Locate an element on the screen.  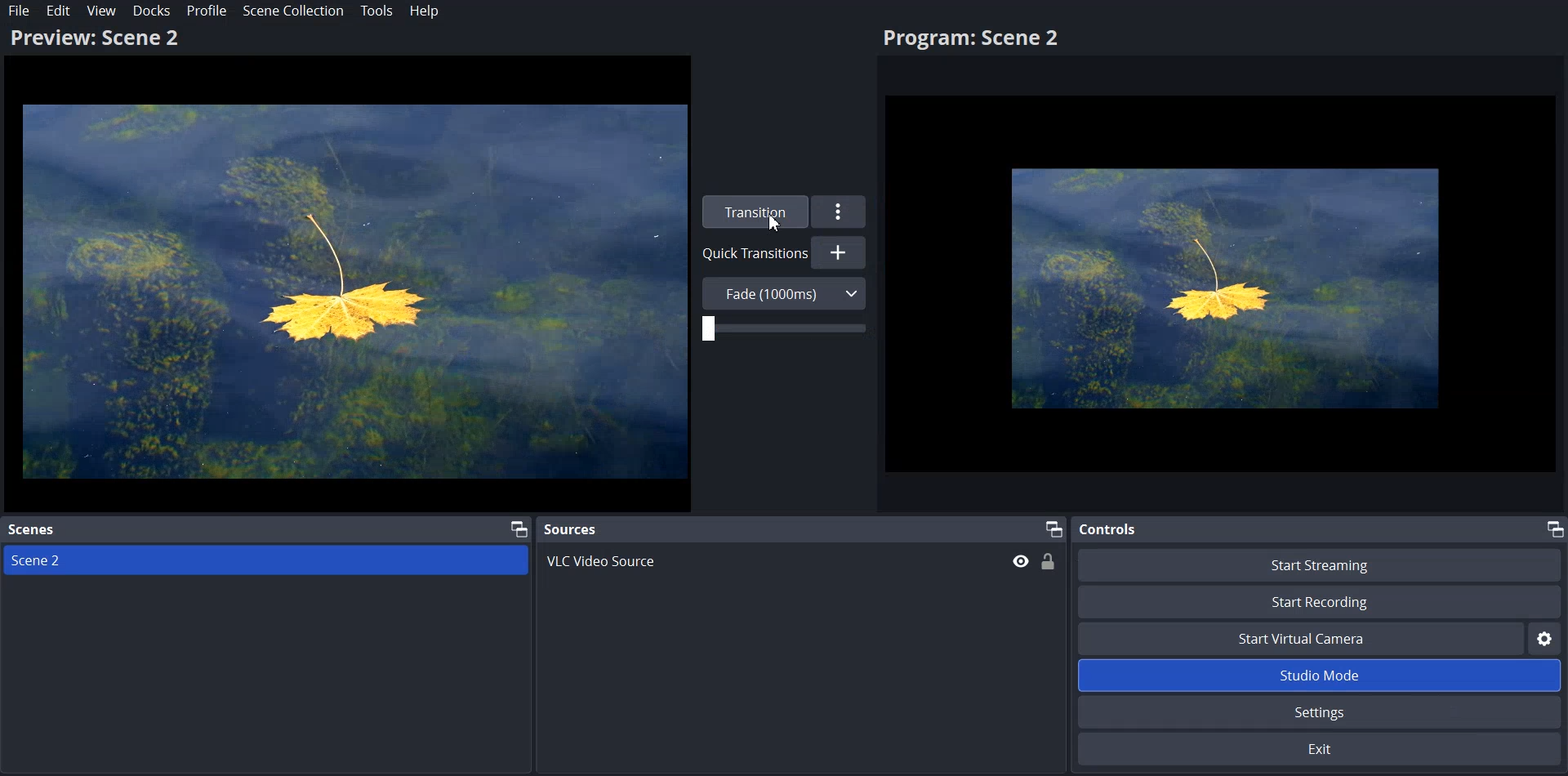
Maximize is located at coordinates (509, 528).